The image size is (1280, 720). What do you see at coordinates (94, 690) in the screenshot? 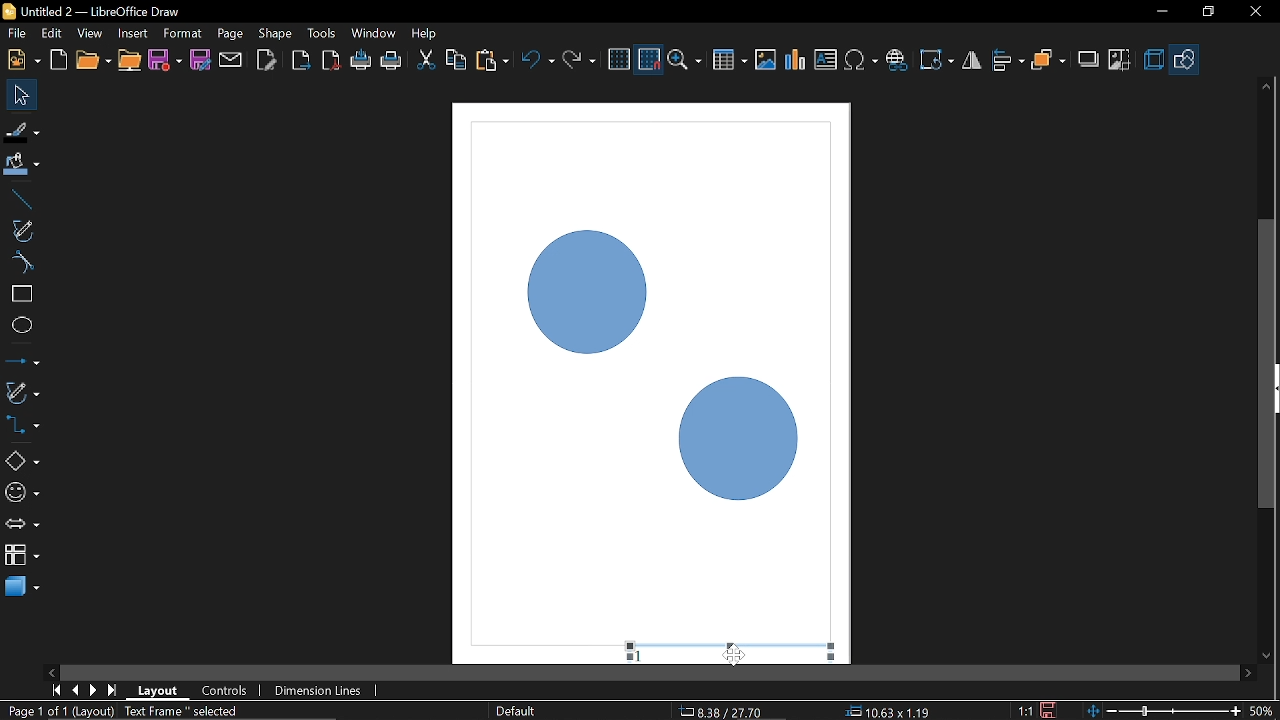
I see `Next page` at bounding box center [94, 690].